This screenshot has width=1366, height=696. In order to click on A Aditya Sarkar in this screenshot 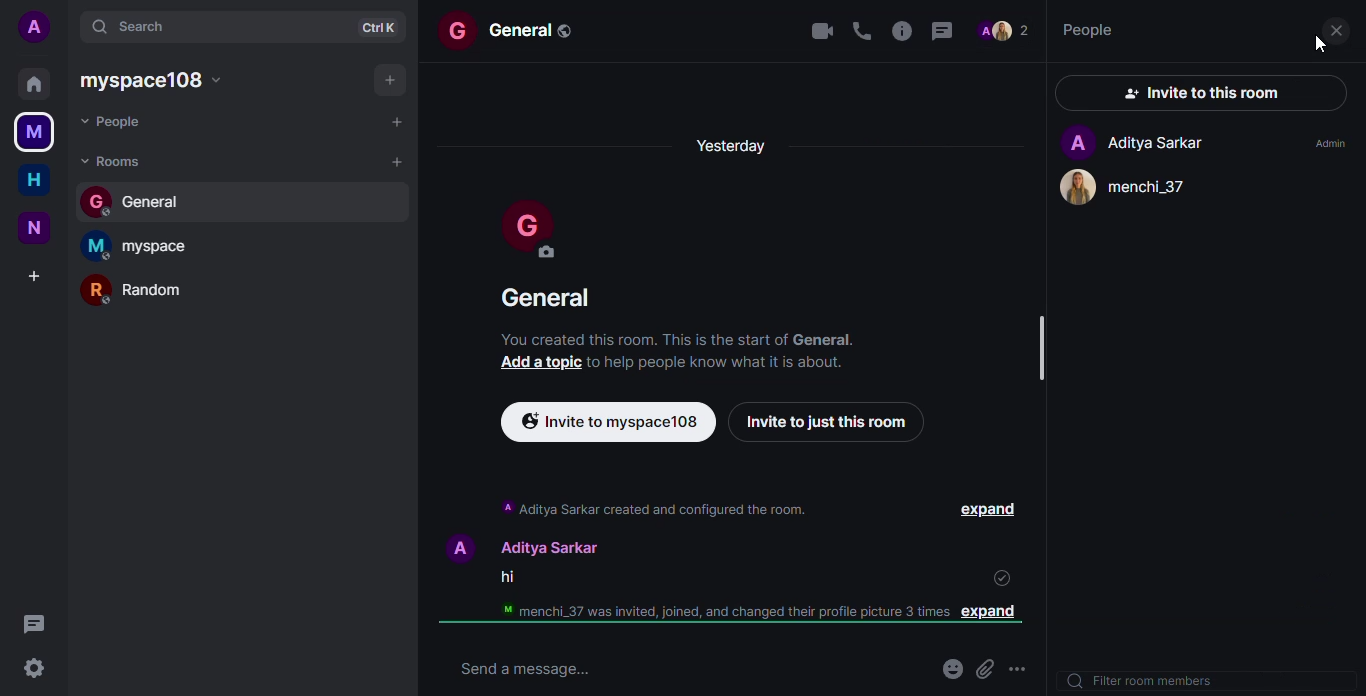, I will do `click(533, 543)`.